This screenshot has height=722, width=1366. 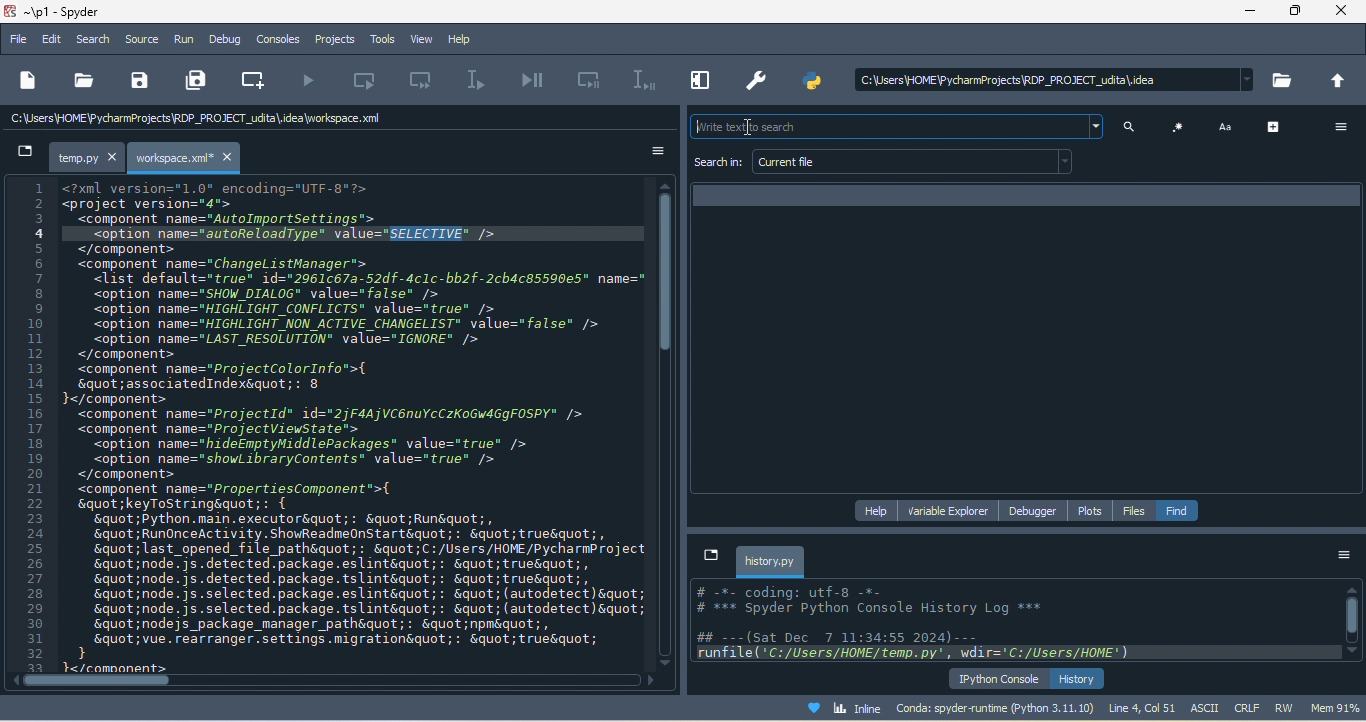 What do you see at coordinates (139, 81) in the screenshot?
I see `save` at bounding box center [139, 81].